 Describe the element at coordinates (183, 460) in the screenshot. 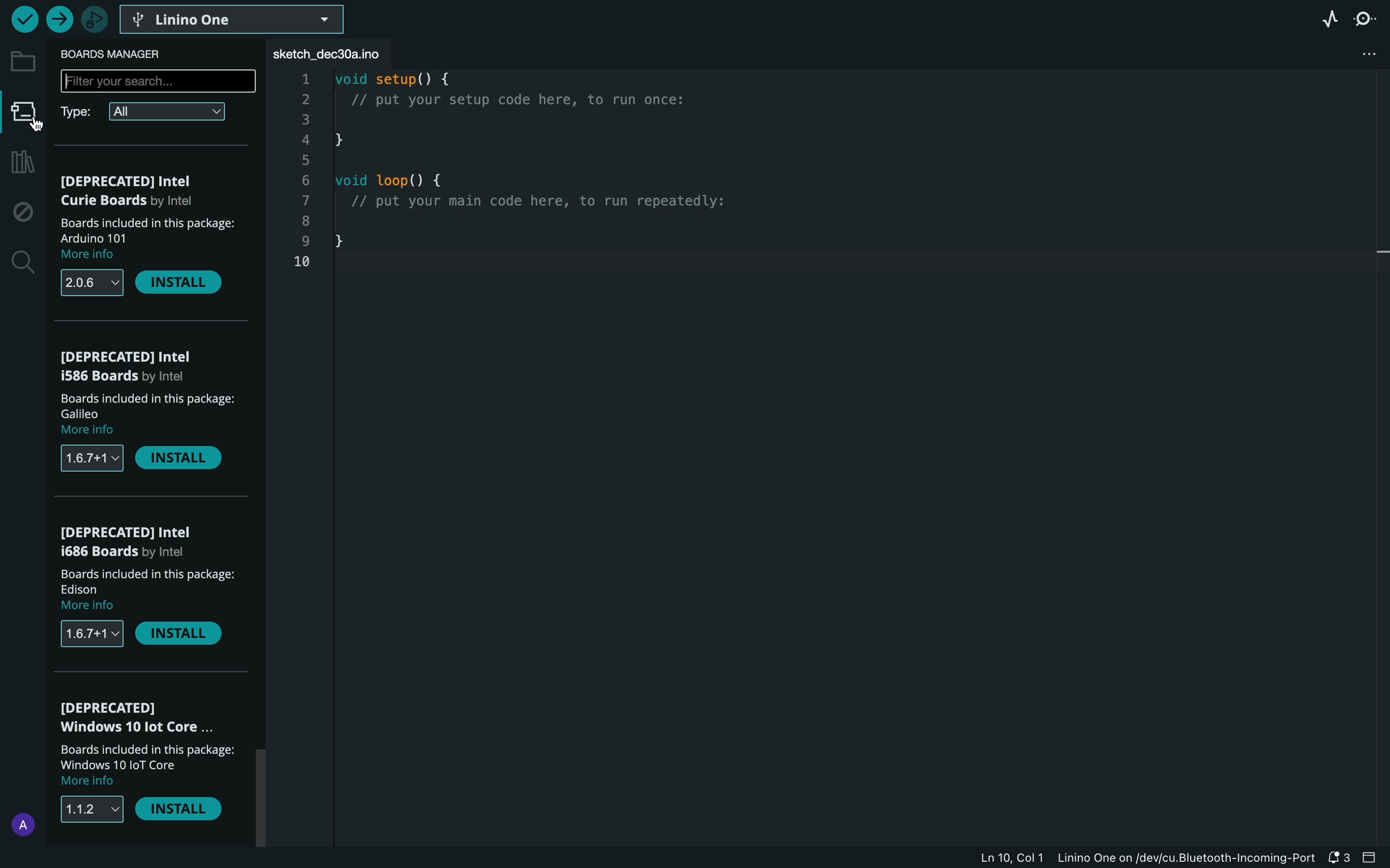

I see `install` at that location.